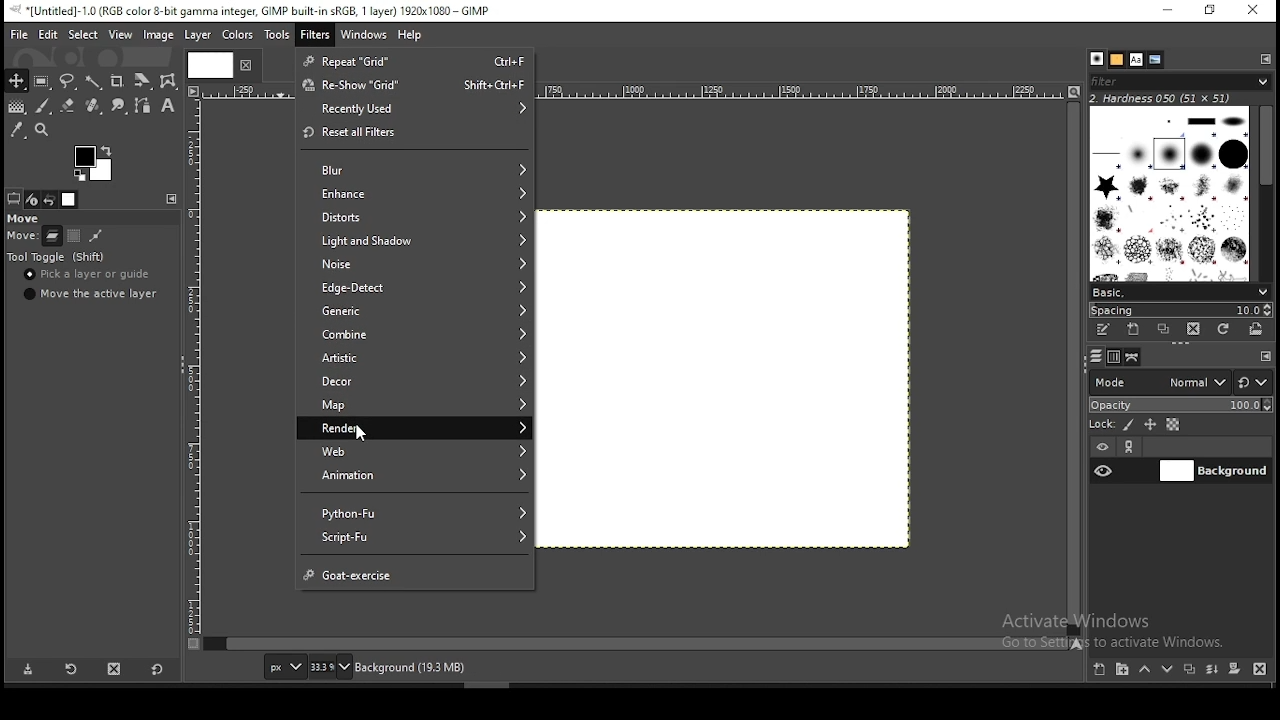 This screenshot has height=720, width=1280. What do you see at coordinates (1266, 60) in the screenshot?
I see `cinfigure this tab` at bounding box center [1266, 60].